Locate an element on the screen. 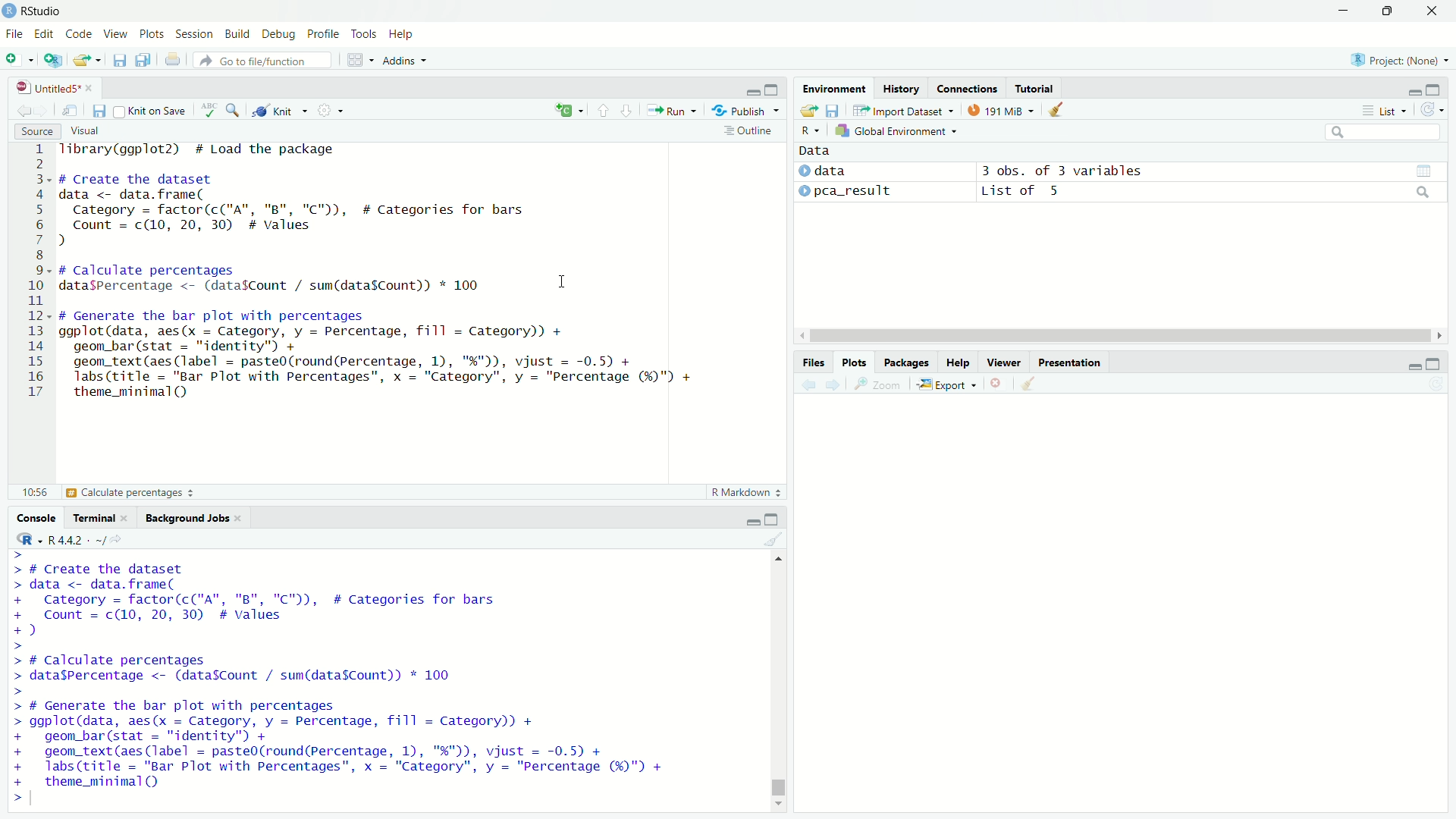  clear console is located at coordinates (776, 540).